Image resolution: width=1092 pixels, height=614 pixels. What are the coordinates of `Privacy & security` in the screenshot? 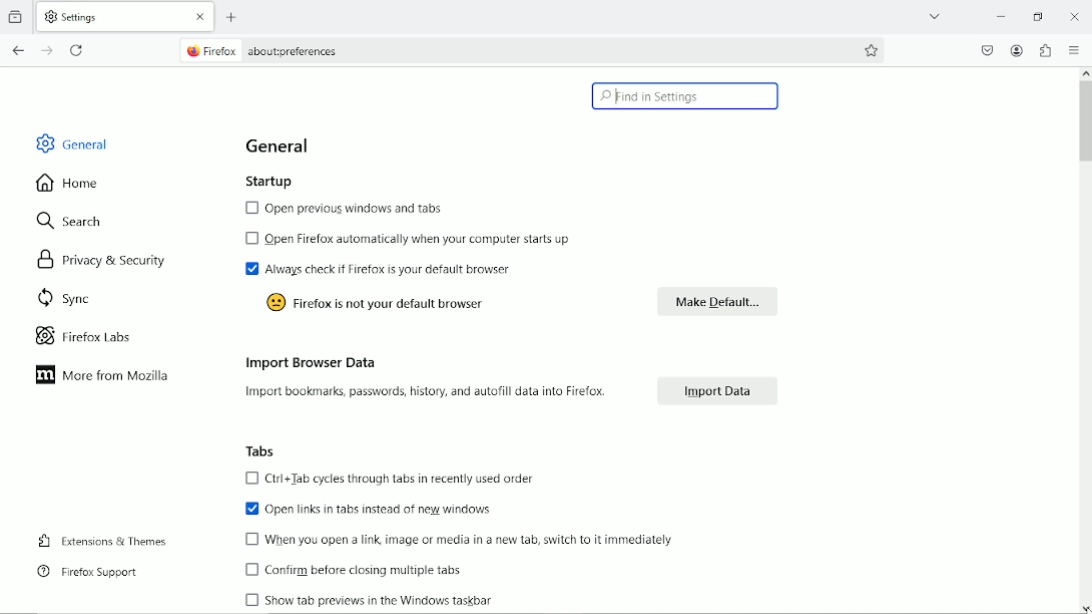 It's located at (105, 263).